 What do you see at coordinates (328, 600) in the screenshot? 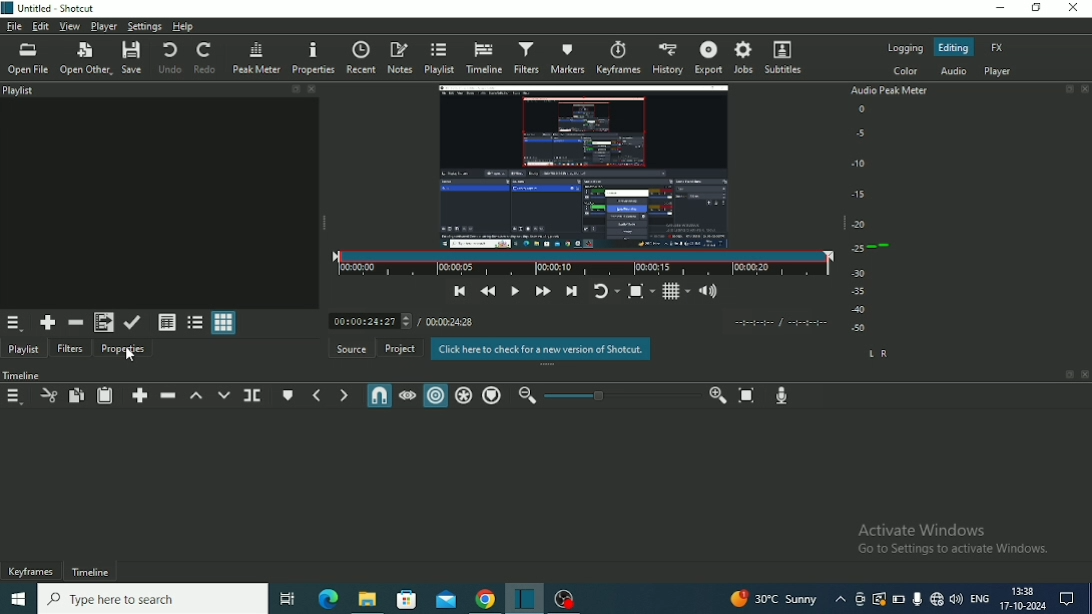
I see `Microsoft Edge` at bounding box center [328, 600].